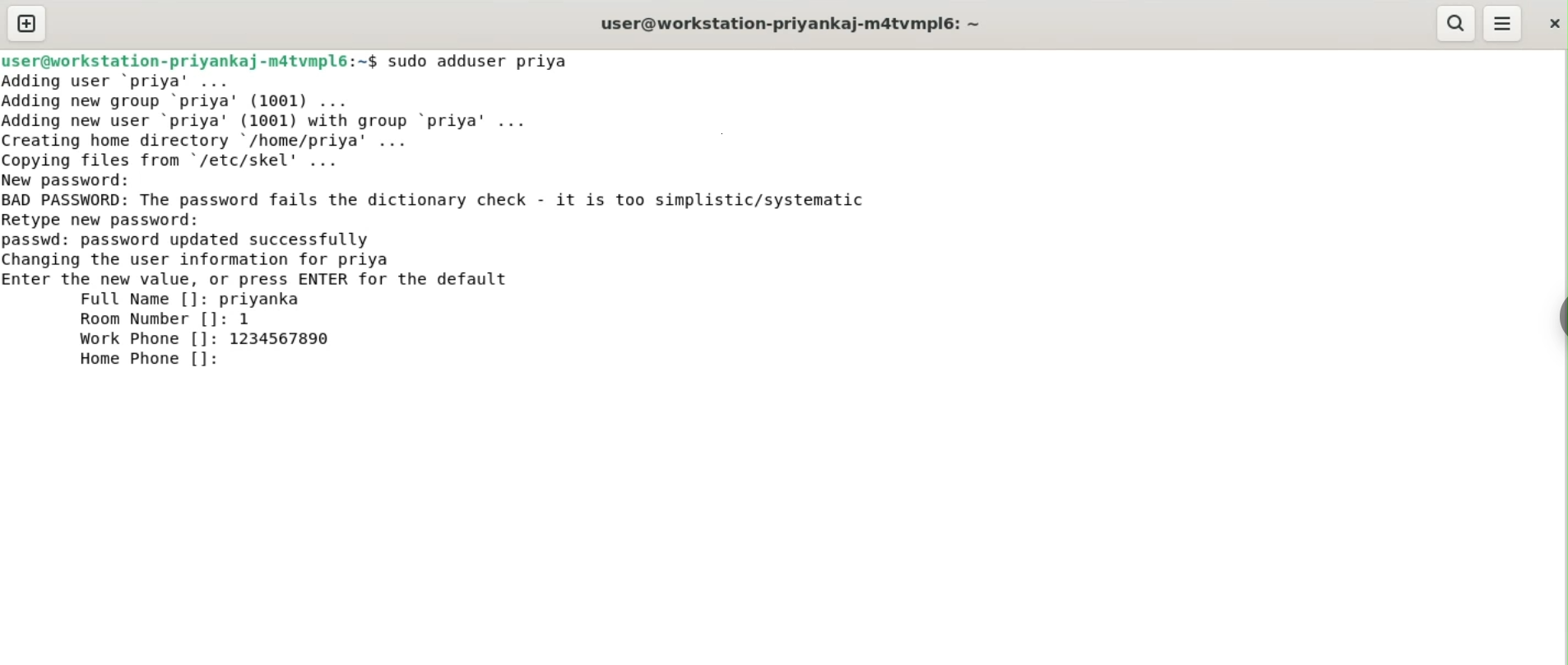 Image resolution: width=1568 pixels, height=665 pixels. Describe the element at coordinates (264, 299) in the screenshot. I see `priyanka` at that location.